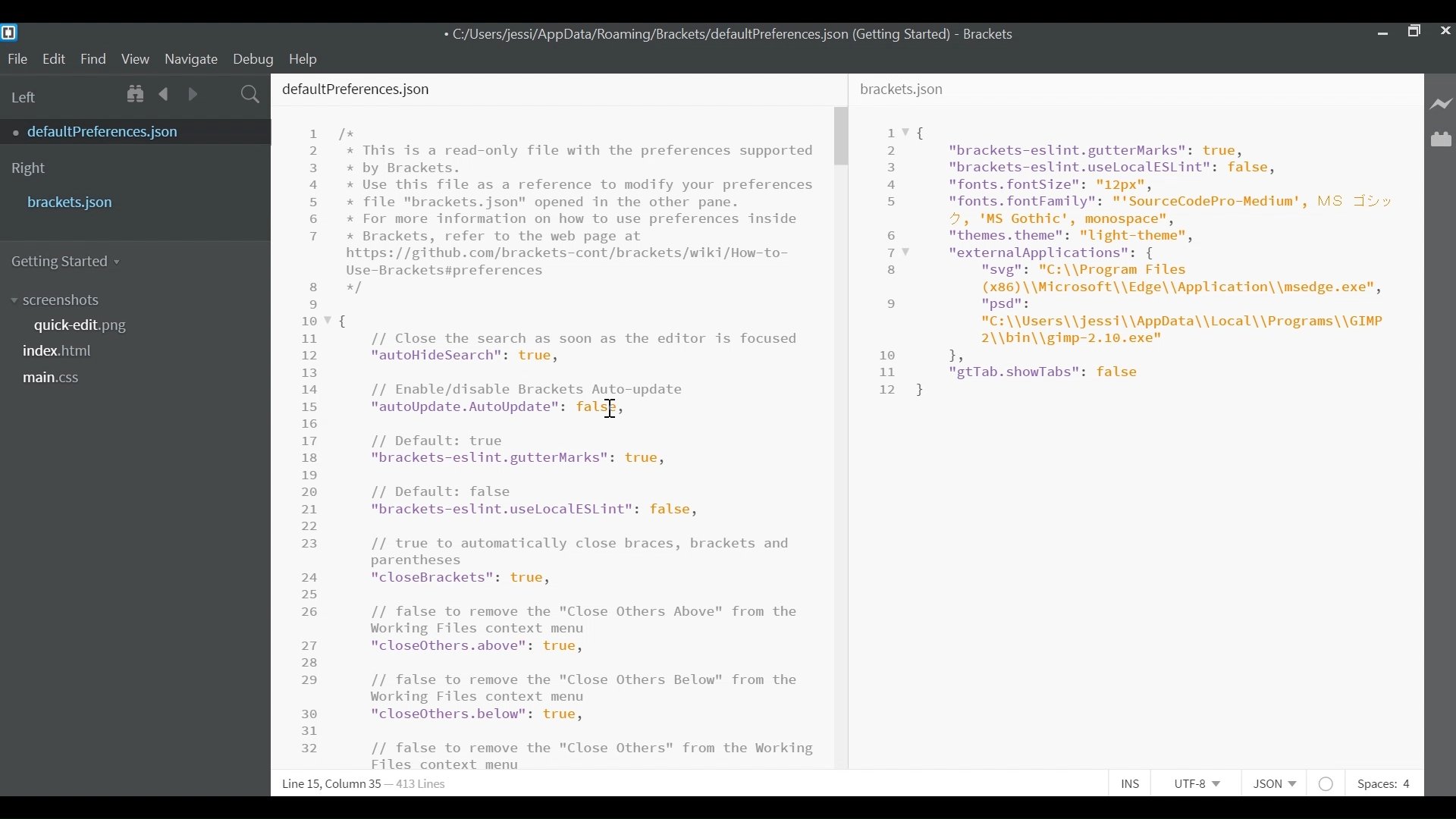  What do you see at coordinates (165, 93) in the screenshot?
I see `Navigate back` at bounding box center [165, 93].